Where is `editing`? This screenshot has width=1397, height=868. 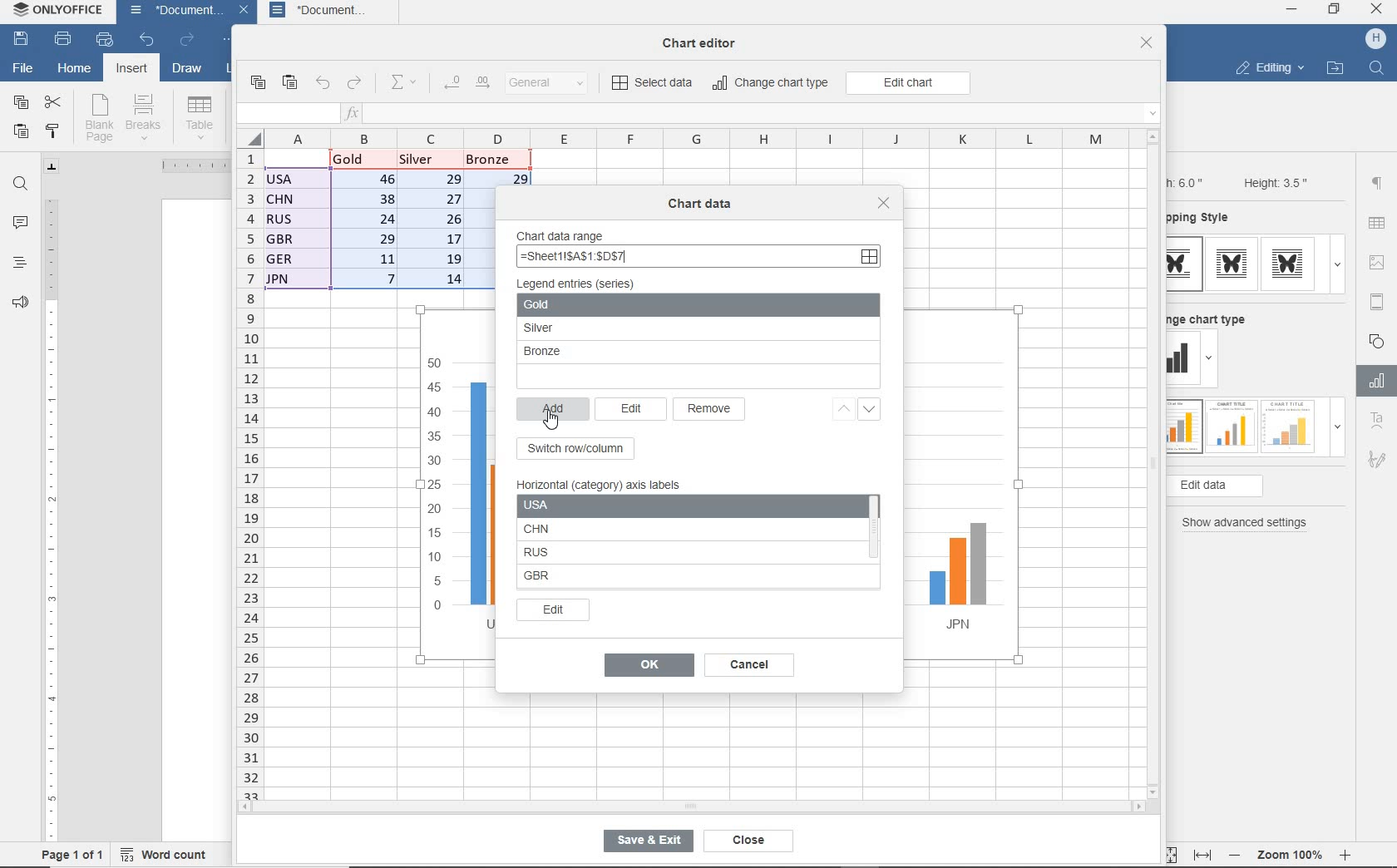
editing is located at coordinates (1269, 70).